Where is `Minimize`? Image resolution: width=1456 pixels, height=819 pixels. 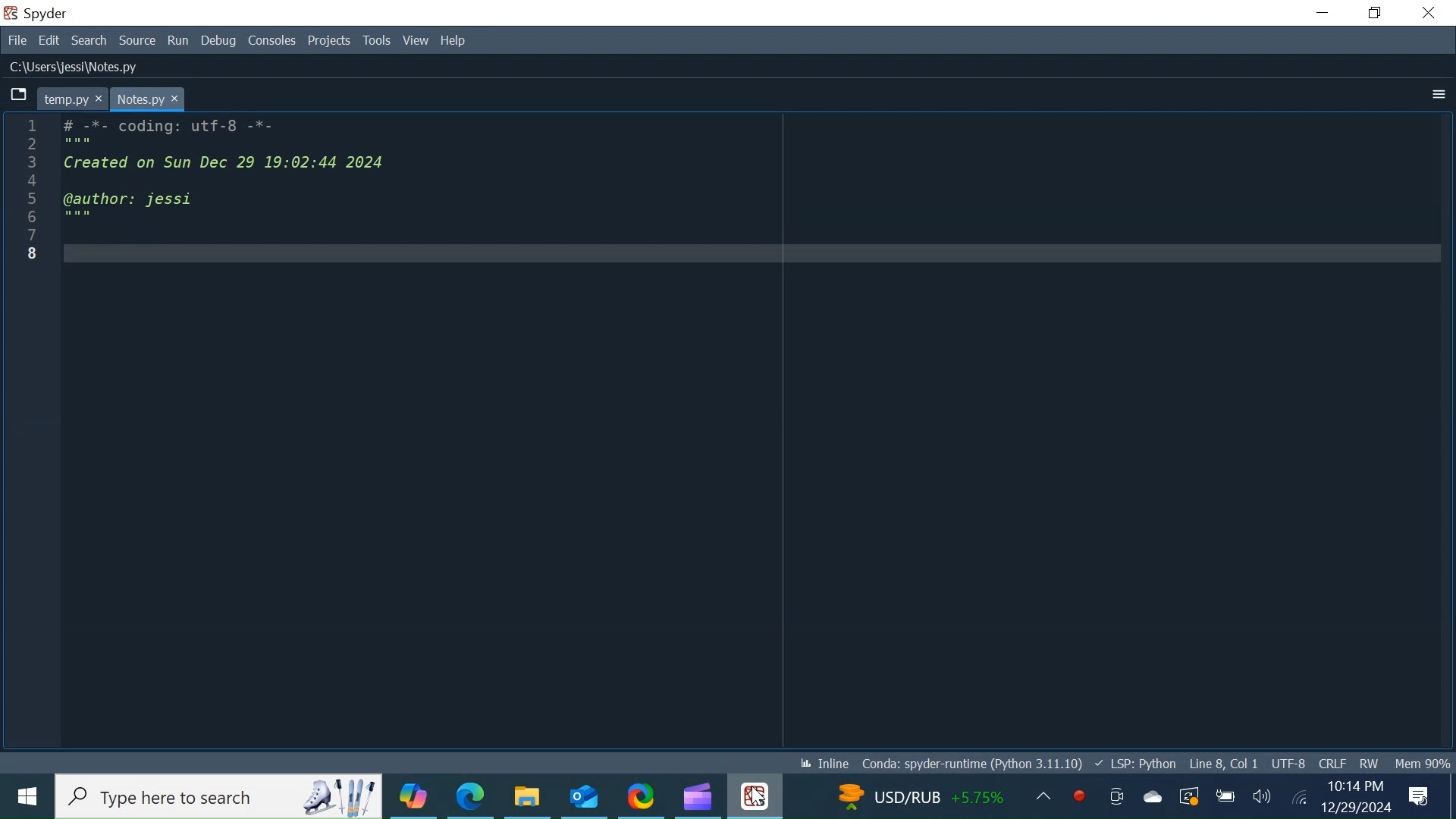 Minimize is located at coordinates (1322, 12).